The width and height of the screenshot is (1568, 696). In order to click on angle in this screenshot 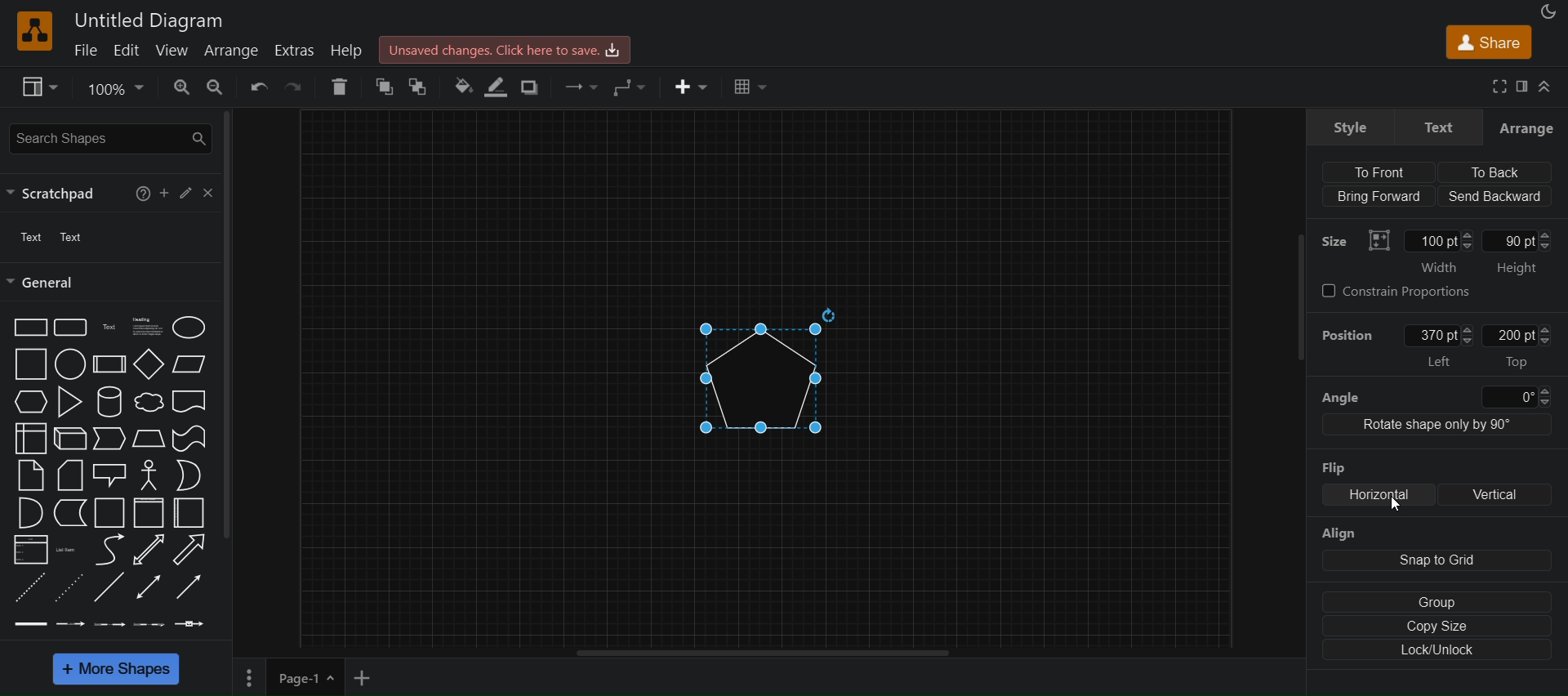, I will do `click(1341, 399)`.